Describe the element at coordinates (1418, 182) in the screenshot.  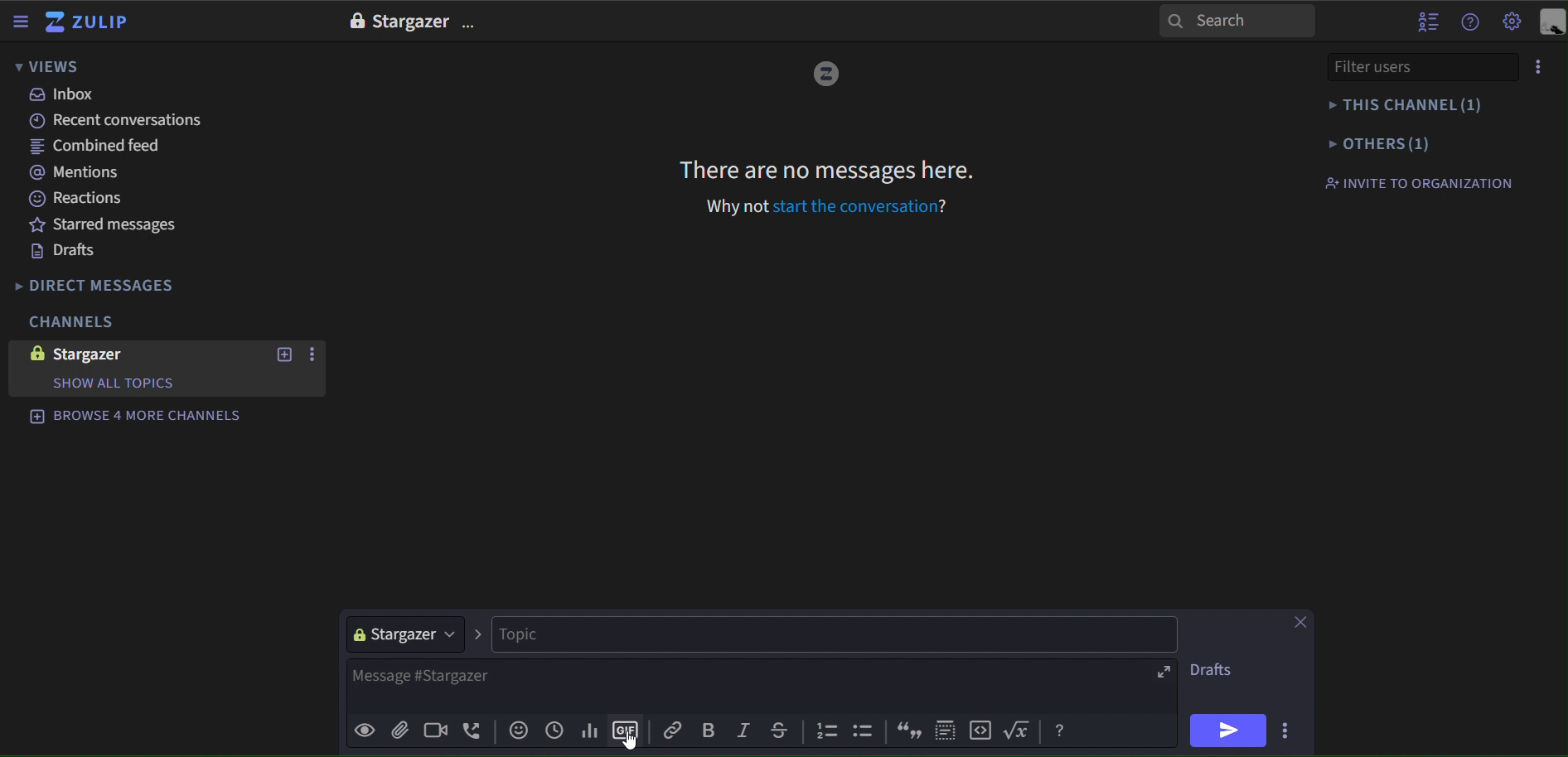
I see `Invite to Organization` at that location.